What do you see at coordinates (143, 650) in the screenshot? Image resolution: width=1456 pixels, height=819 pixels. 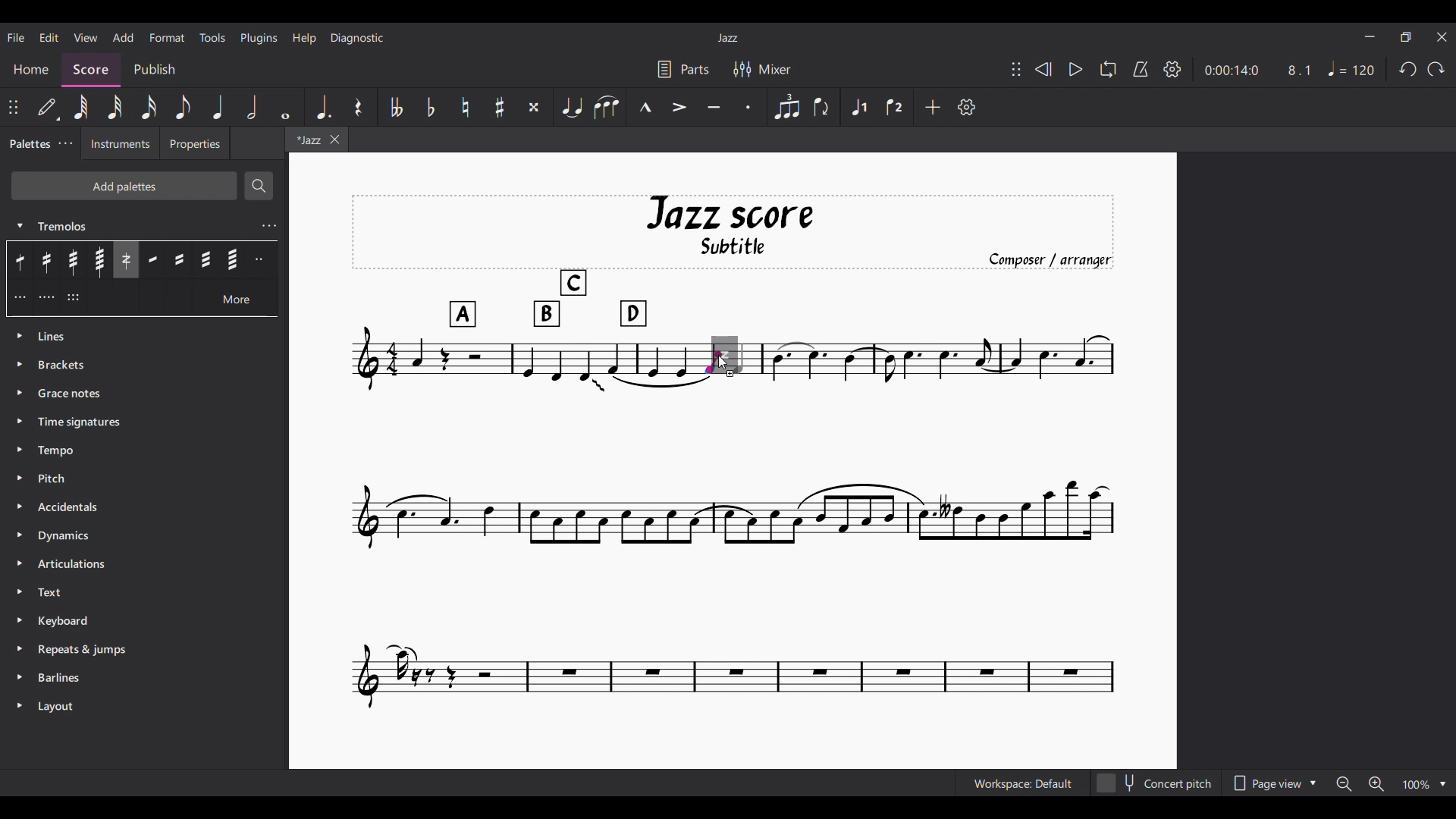 I see `Repeats and jumps` at bounding box center [143, 650].